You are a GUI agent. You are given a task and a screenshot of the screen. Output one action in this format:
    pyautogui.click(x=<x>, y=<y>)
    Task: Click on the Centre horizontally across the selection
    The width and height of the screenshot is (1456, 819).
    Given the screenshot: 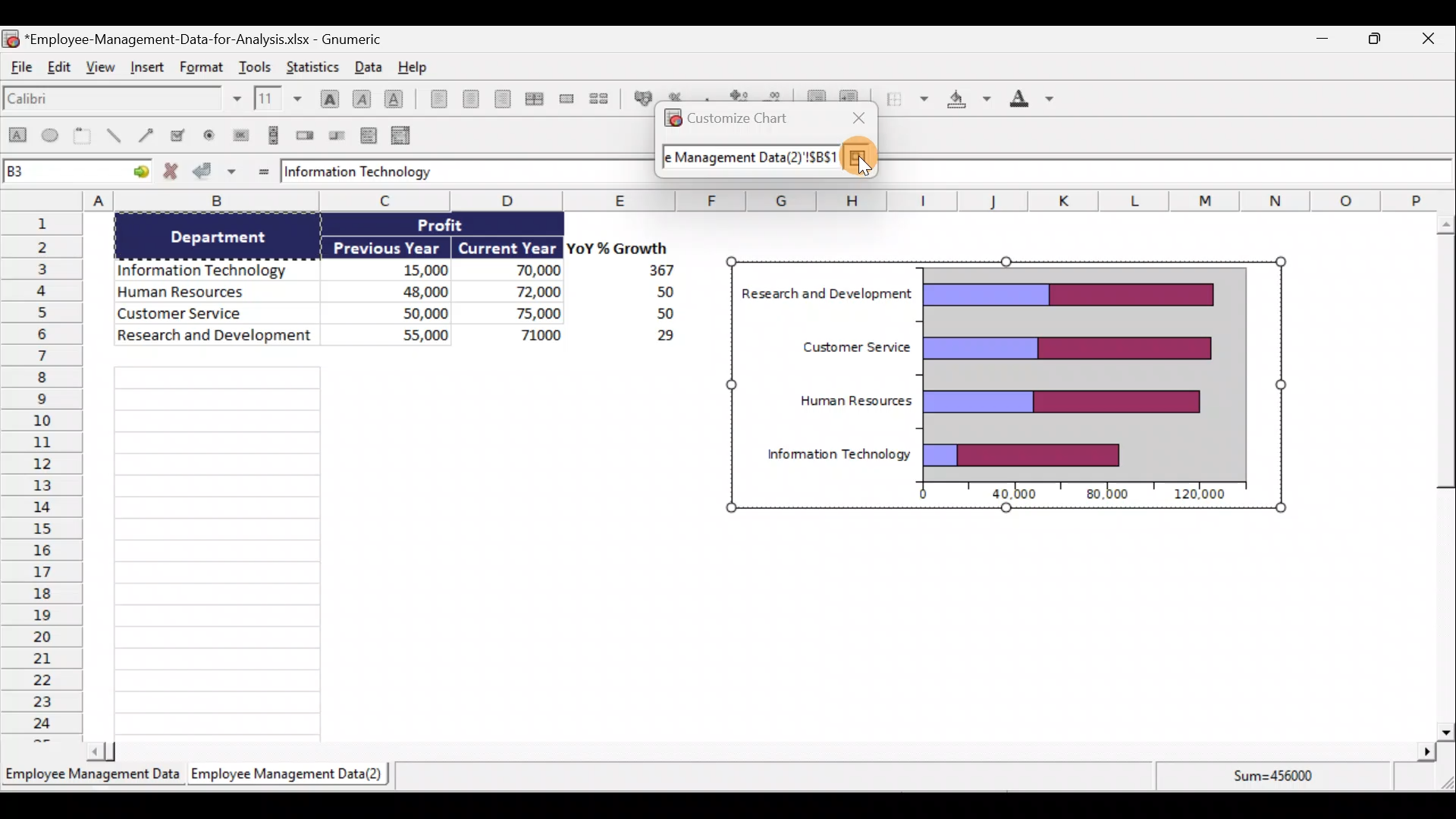 What is the action you would take?
    pyautogui.click(x=534, y=96)
    